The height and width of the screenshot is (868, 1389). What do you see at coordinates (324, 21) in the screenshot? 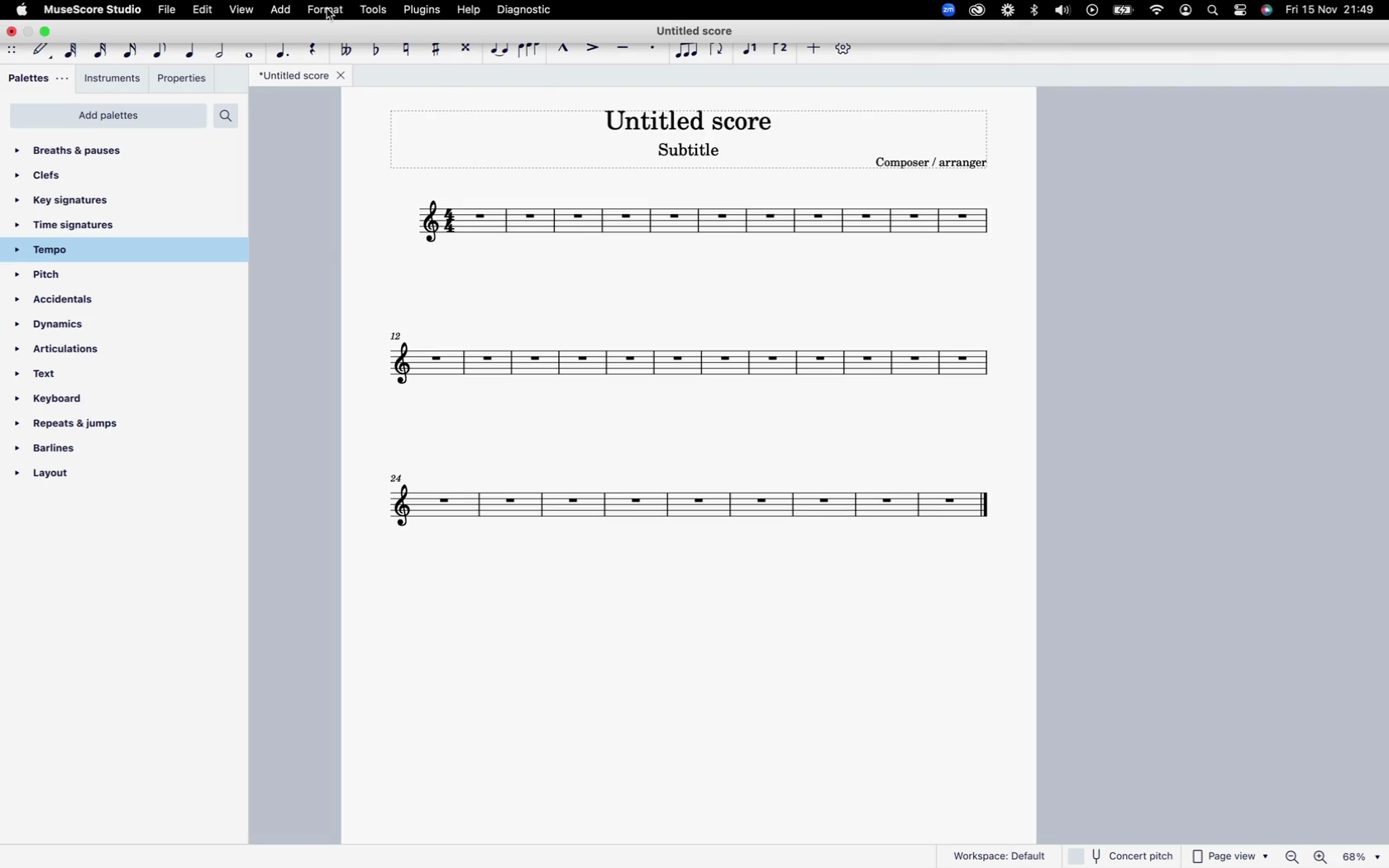
I see `cursor` at bounding box center [324, 21].